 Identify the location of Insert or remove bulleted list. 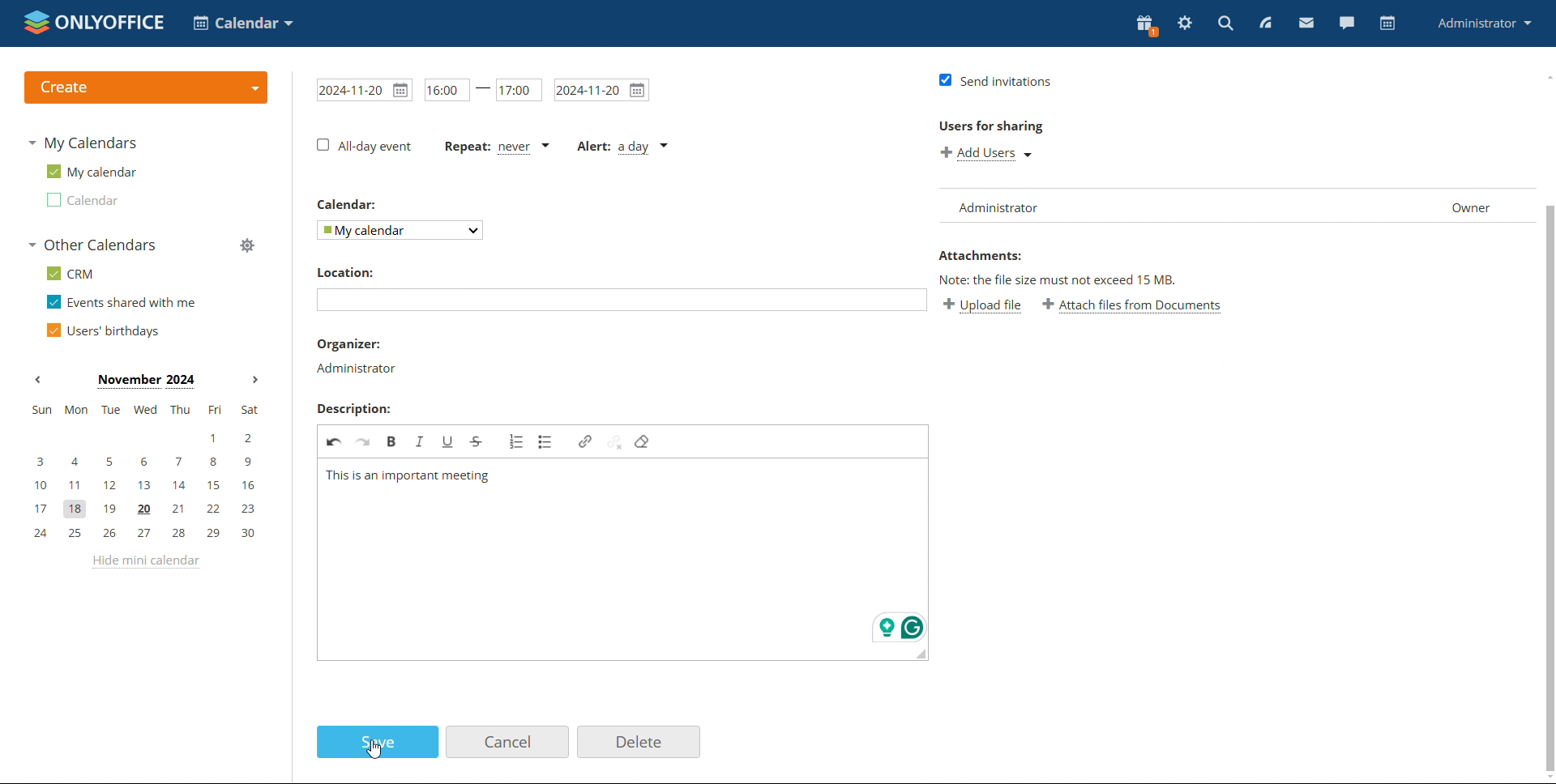
(545, 441).